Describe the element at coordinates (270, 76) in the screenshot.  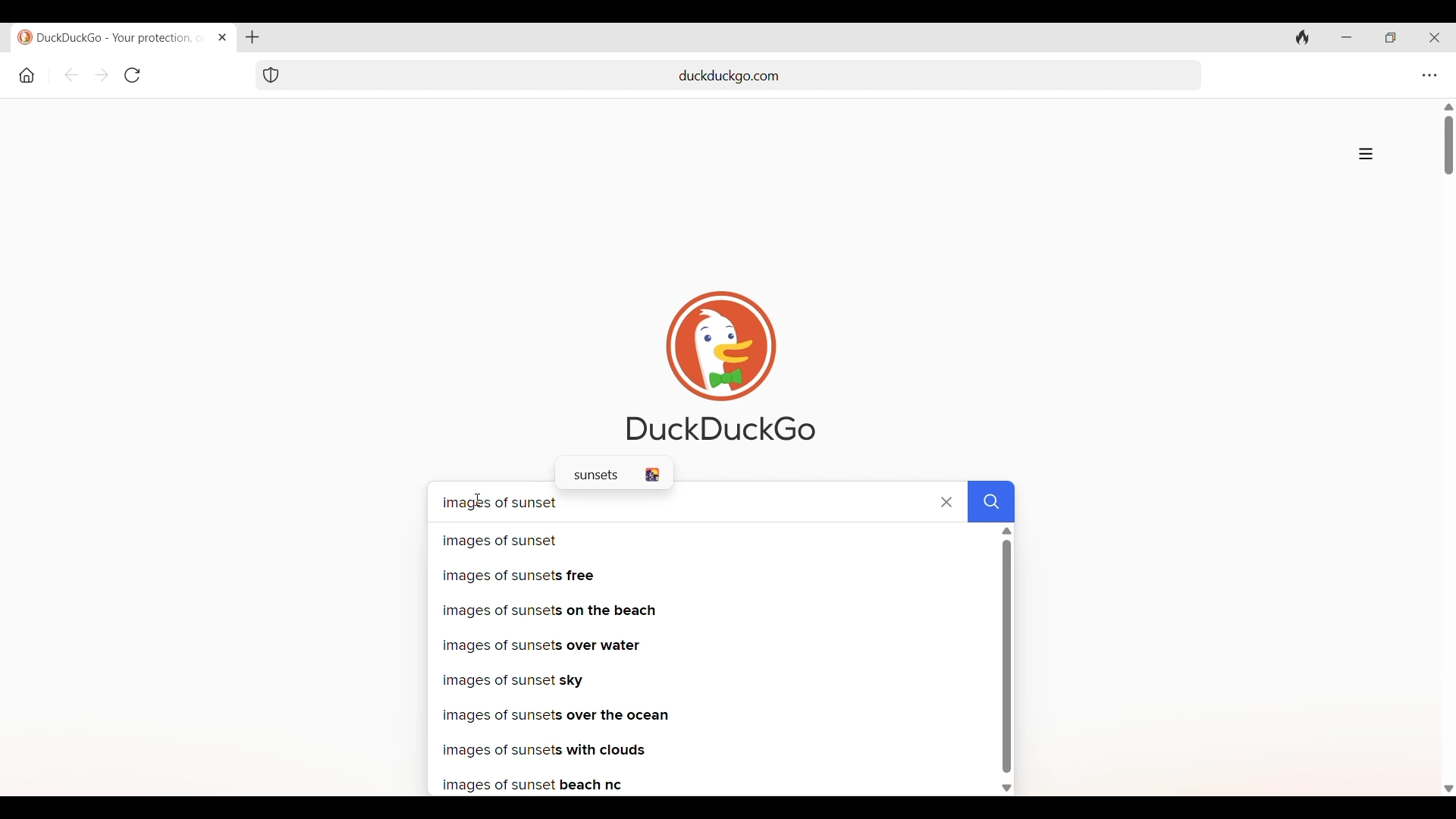
I see `Browser protection` at that location.